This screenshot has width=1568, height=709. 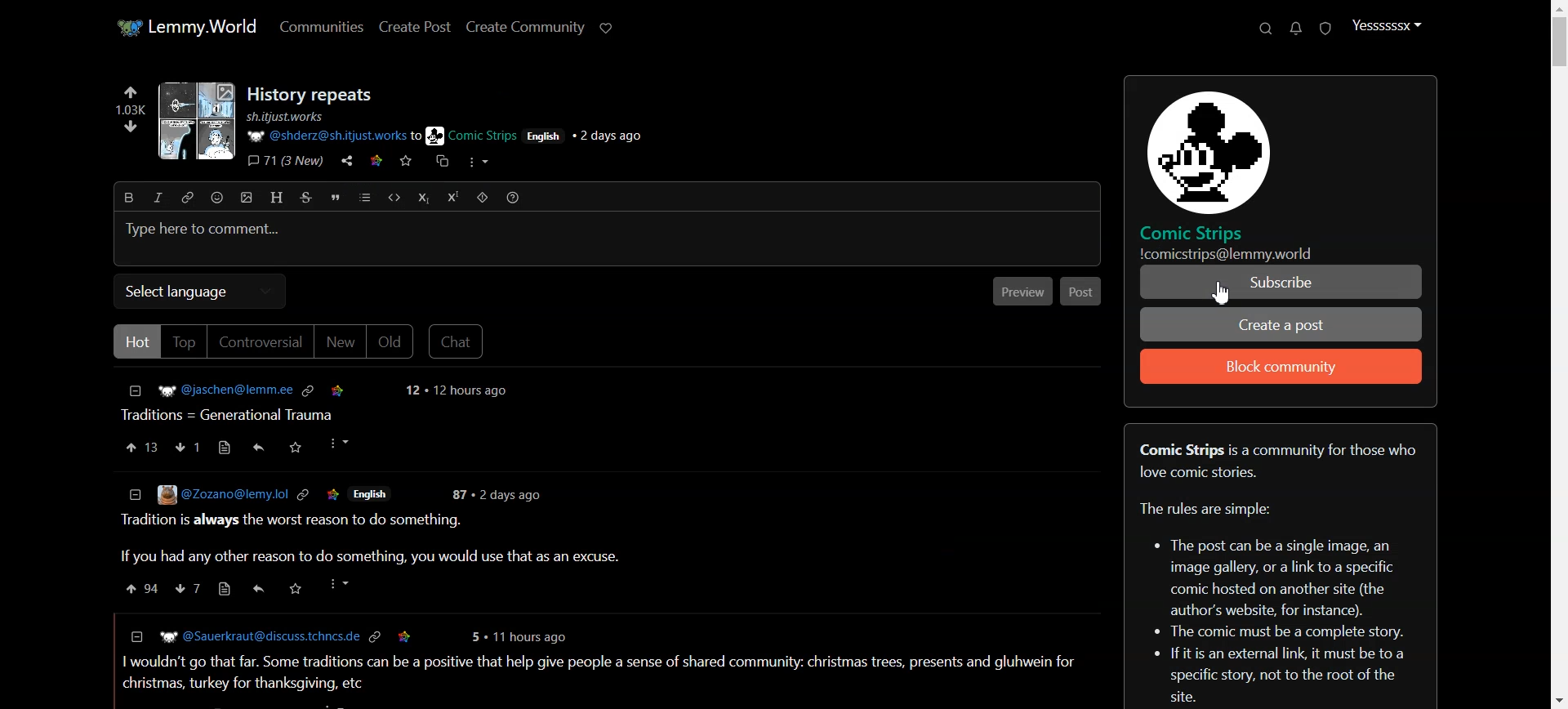 What do you see at coordinates (457, 391) in the screenshot?
I see `12 hours ago` at bounding box center [457, 391].